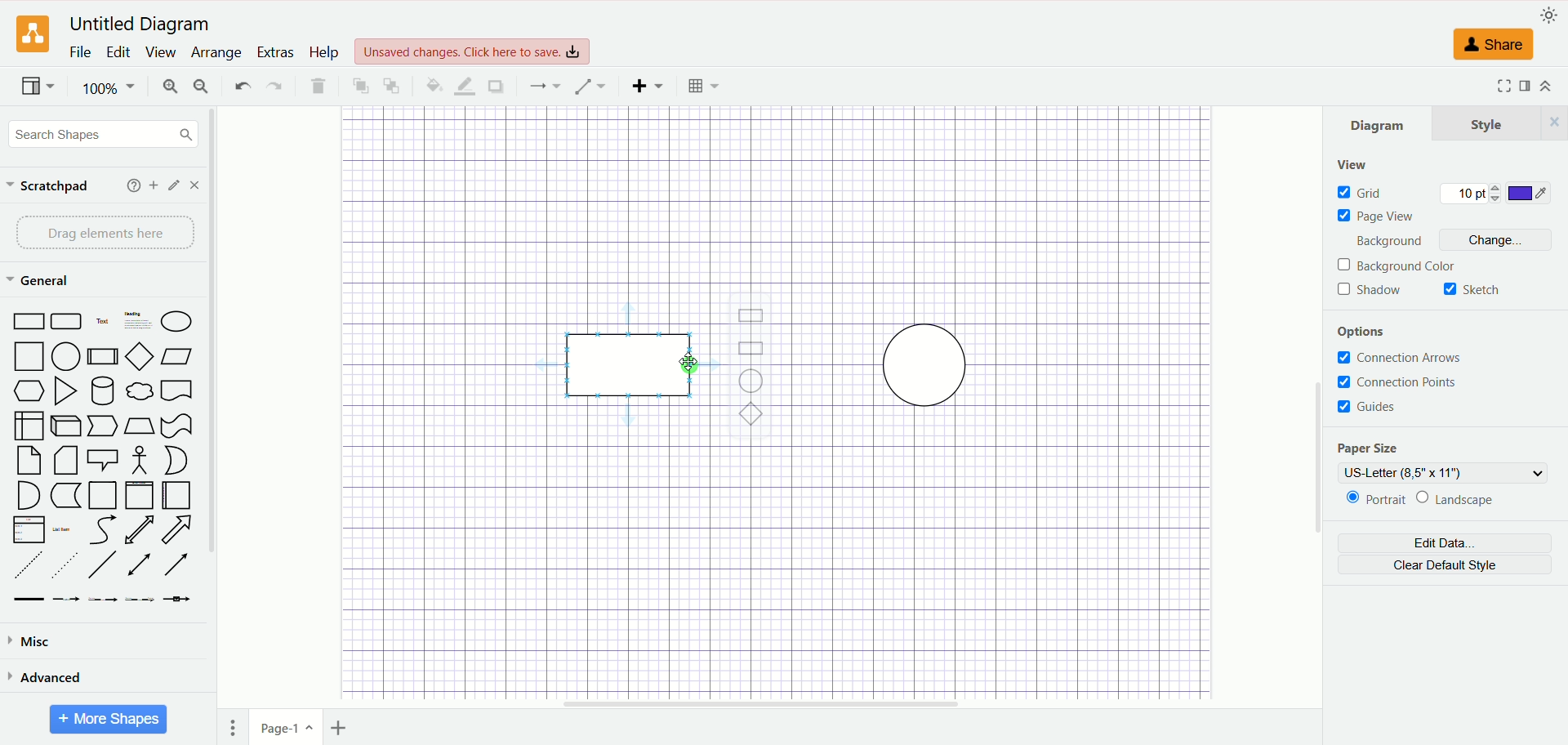  I want to click on add, so click(152, 185).